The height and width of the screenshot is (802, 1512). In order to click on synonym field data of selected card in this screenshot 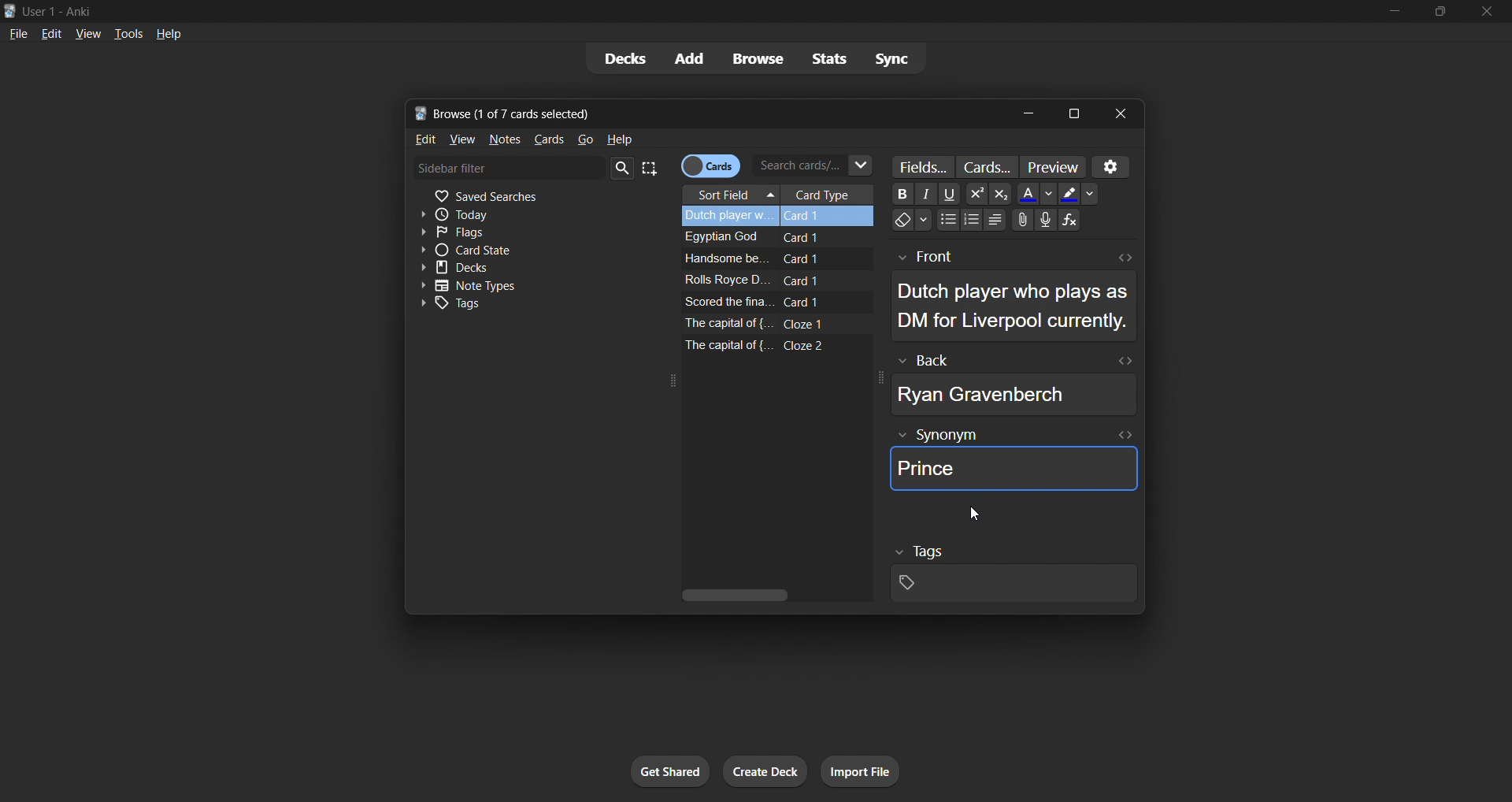, I will do `click(1014, 459)`.